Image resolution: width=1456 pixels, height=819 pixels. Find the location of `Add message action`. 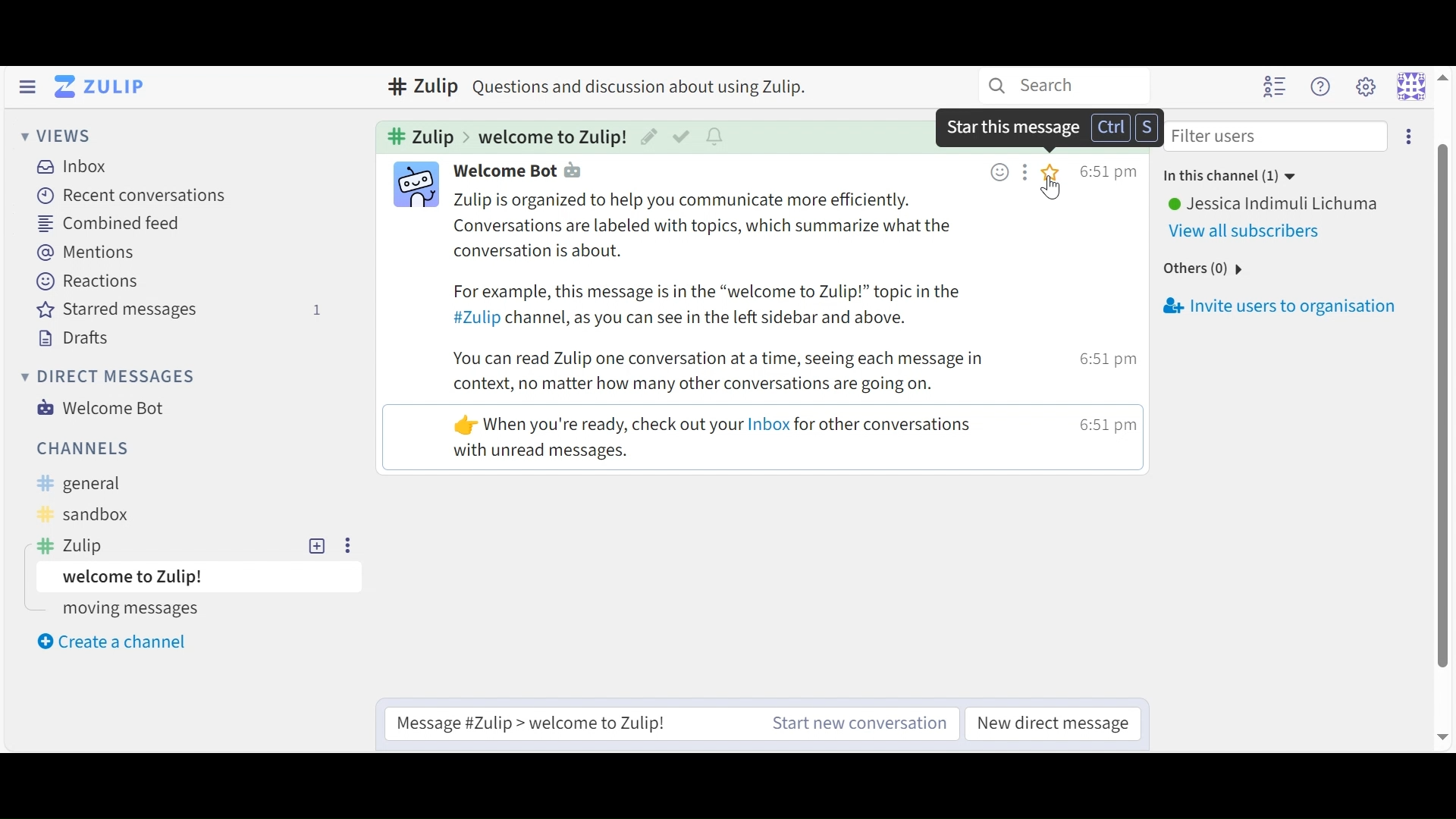

Add message action is located at coordinates (1025, 170).